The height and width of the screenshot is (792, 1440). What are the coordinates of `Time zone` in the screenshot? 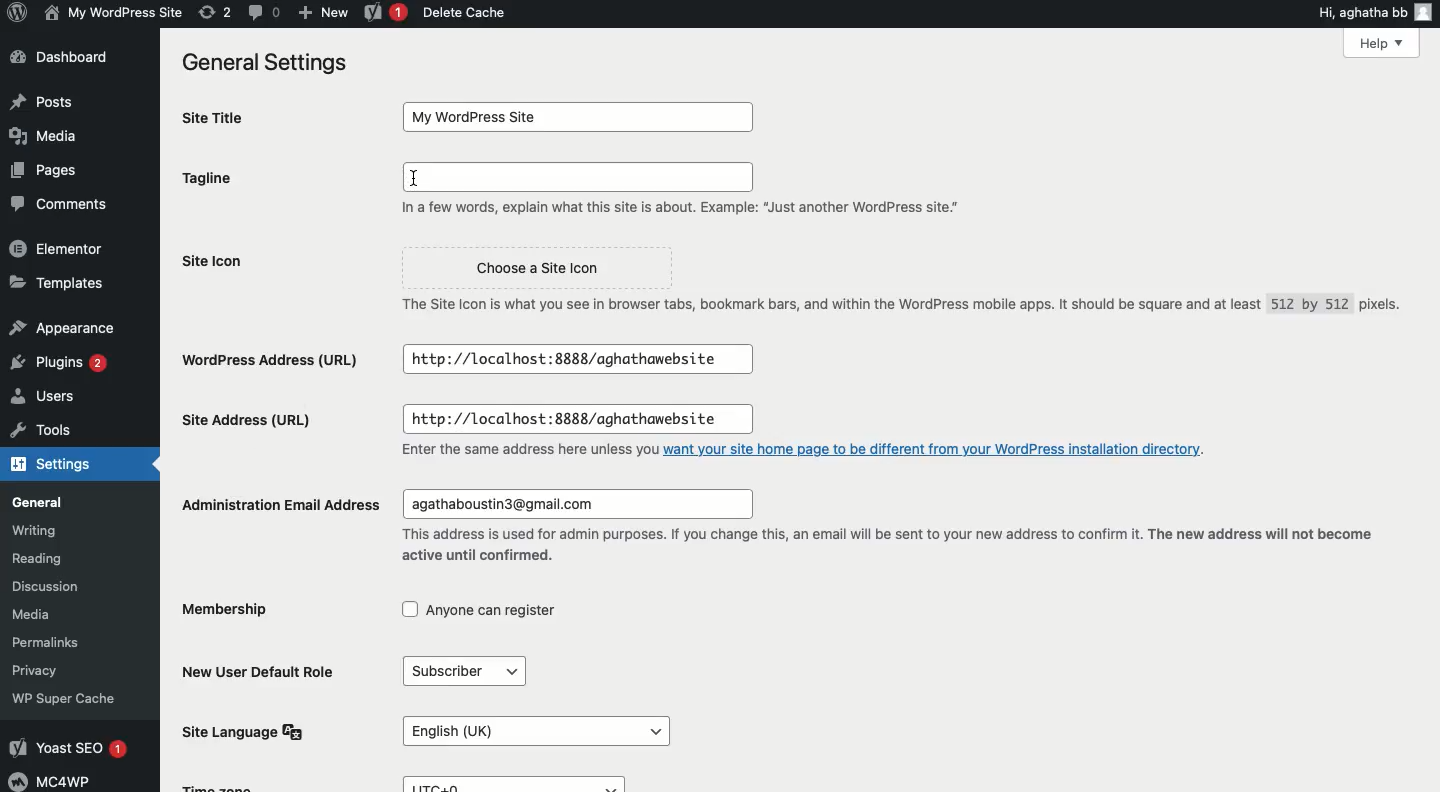 It's located at (240, 785).